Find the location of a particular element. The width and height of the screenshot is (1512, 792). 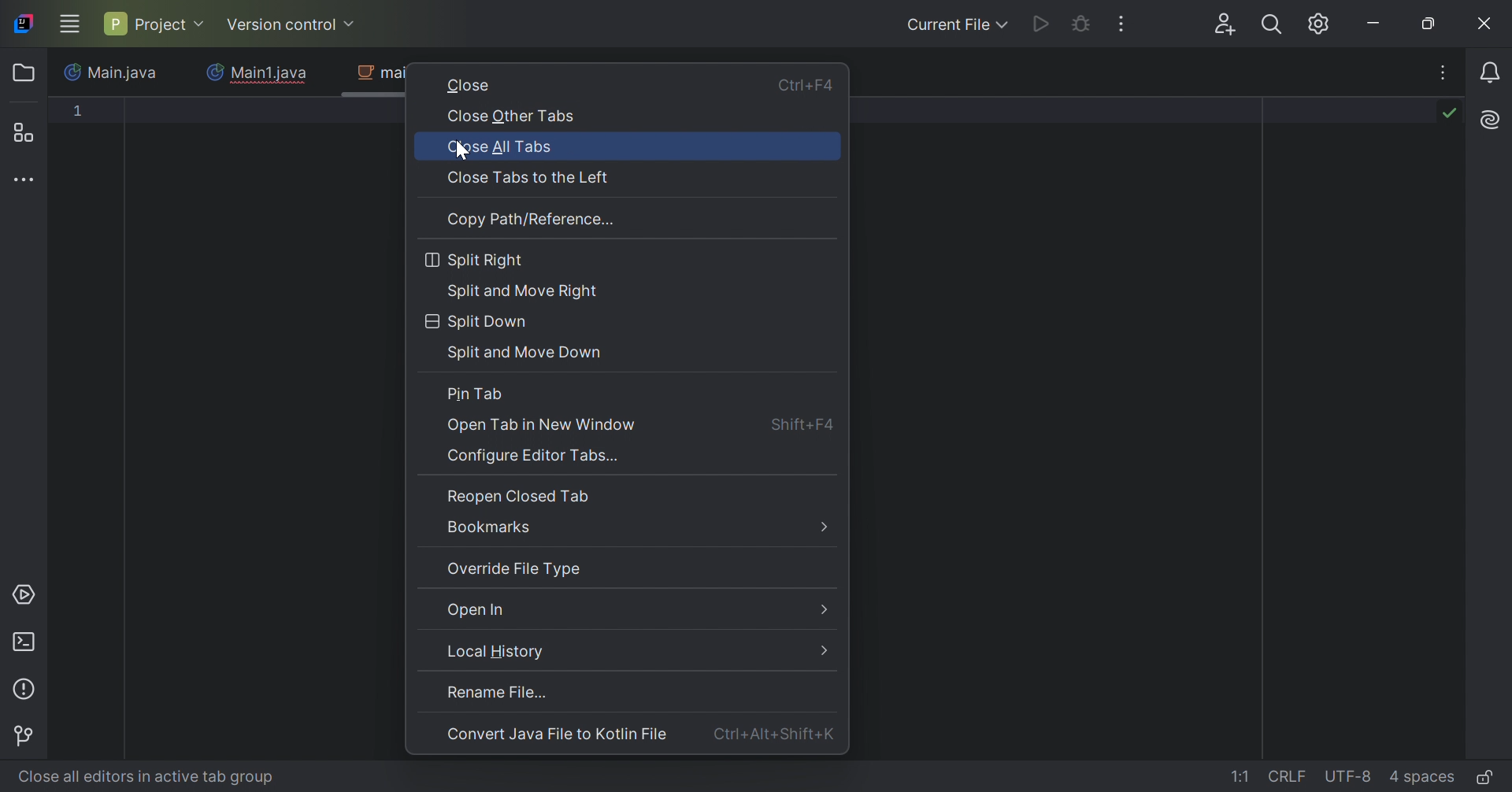

Minimize is located at coordinates (1373, 26).